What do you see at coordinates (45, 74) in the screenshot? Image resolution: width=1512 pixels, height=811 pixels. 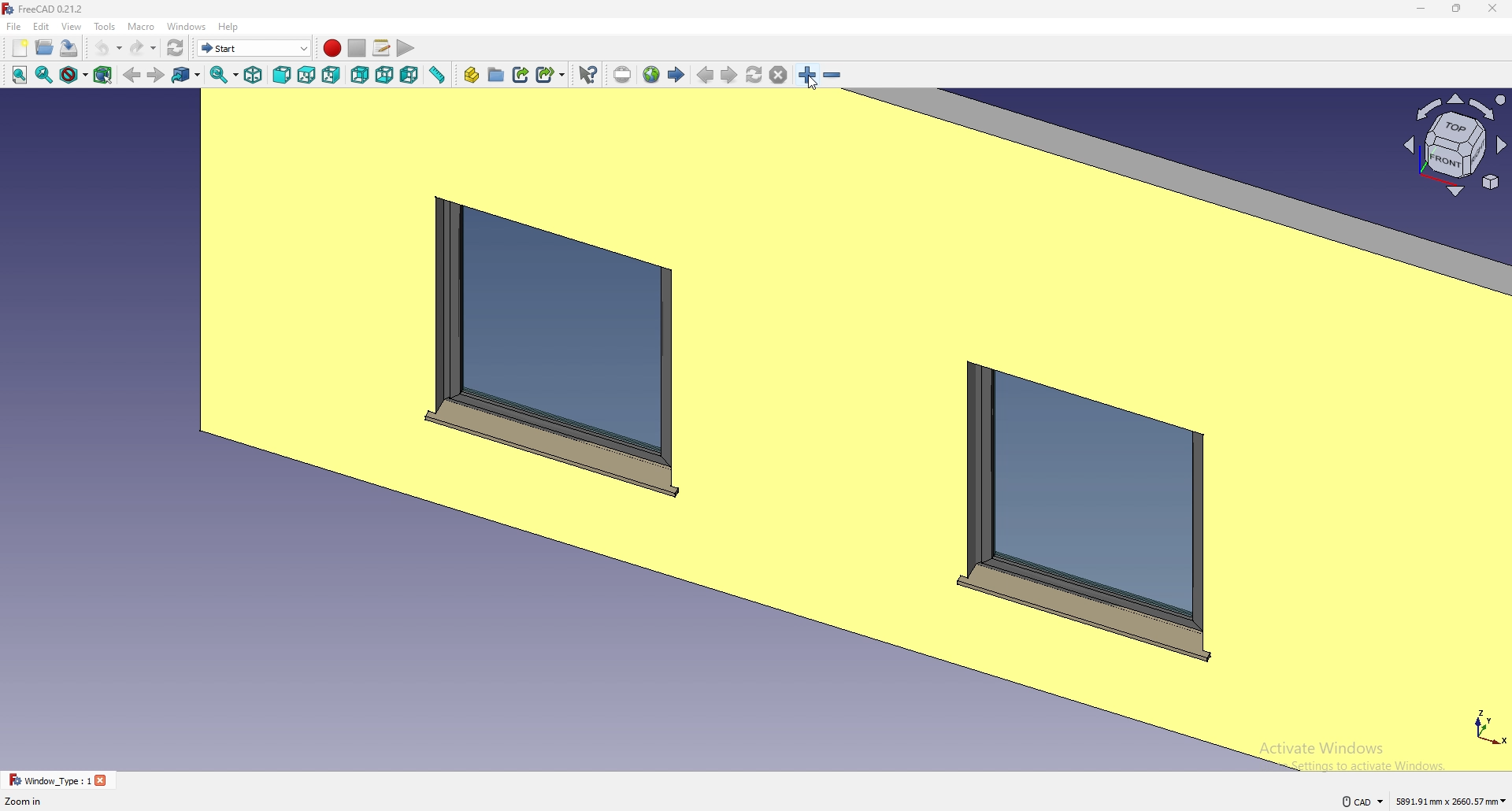 I see `fit selection` at bounding box center [45, 74].